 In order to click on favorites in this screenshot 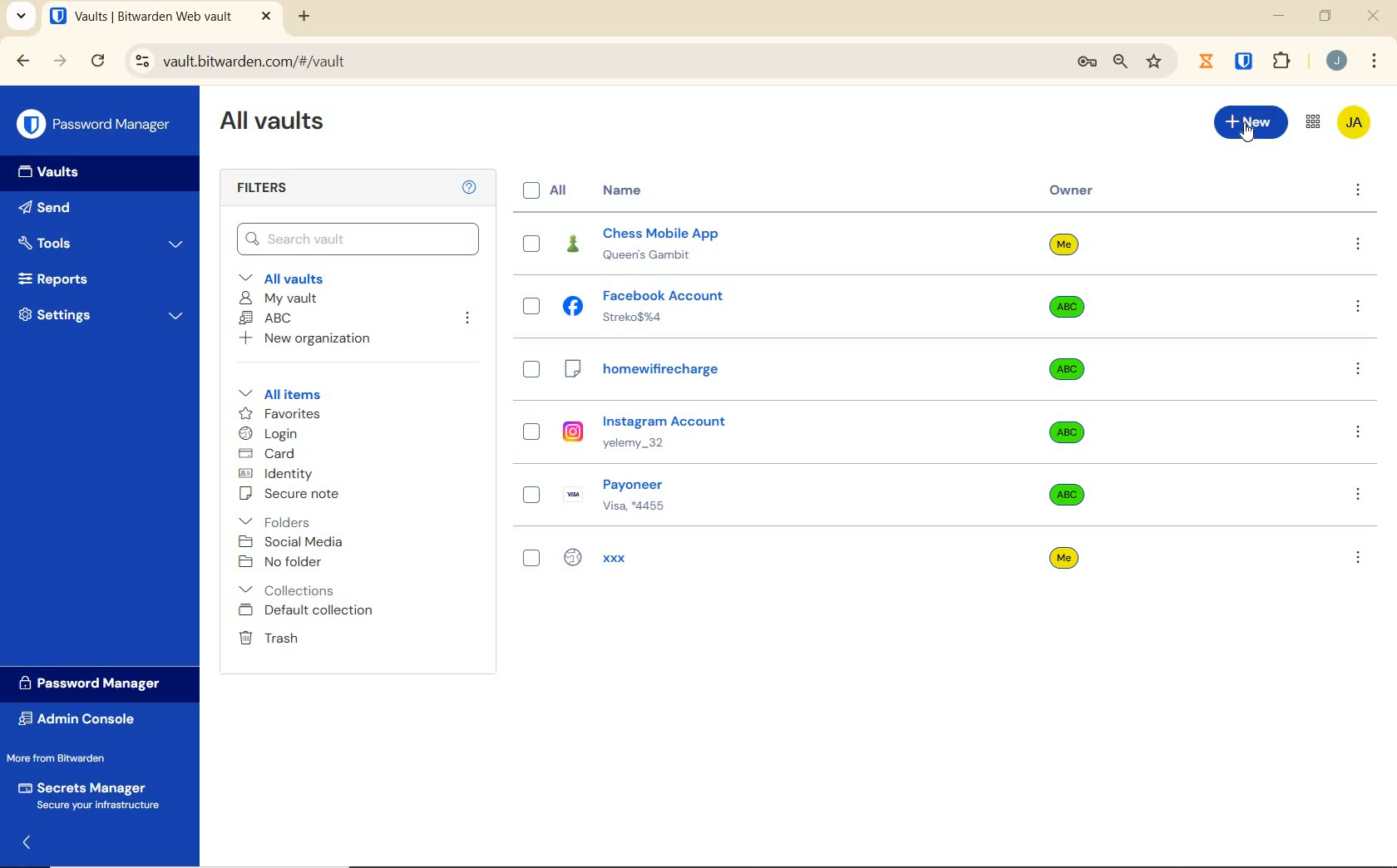, I will do `click(286, 414)`.